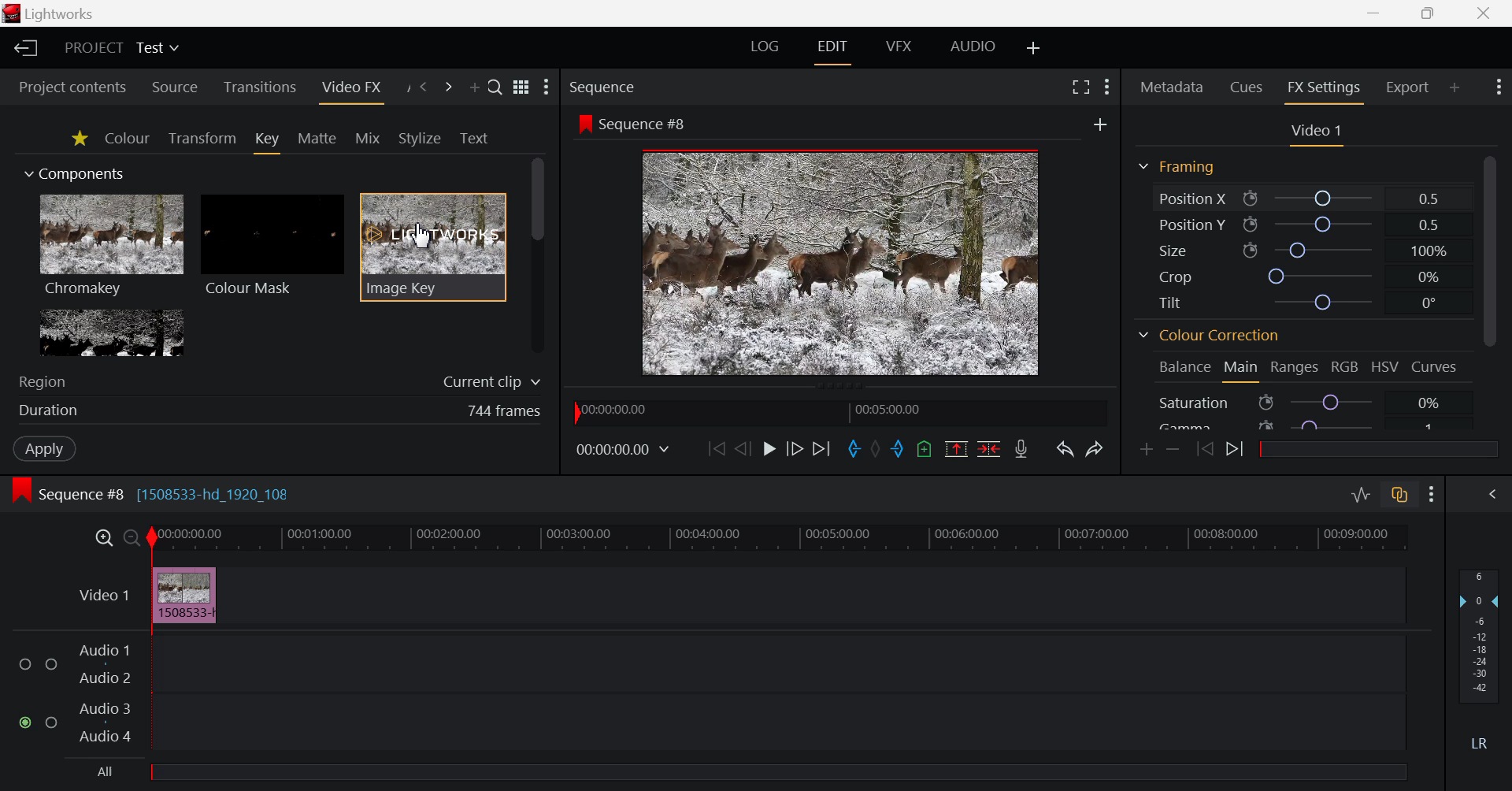 The height and width of the screenshot is (791, 1512). What do you see at coordinates (1194, 403) in the screenshot?
I see `Saturation` at bounding box center [1194, 403].